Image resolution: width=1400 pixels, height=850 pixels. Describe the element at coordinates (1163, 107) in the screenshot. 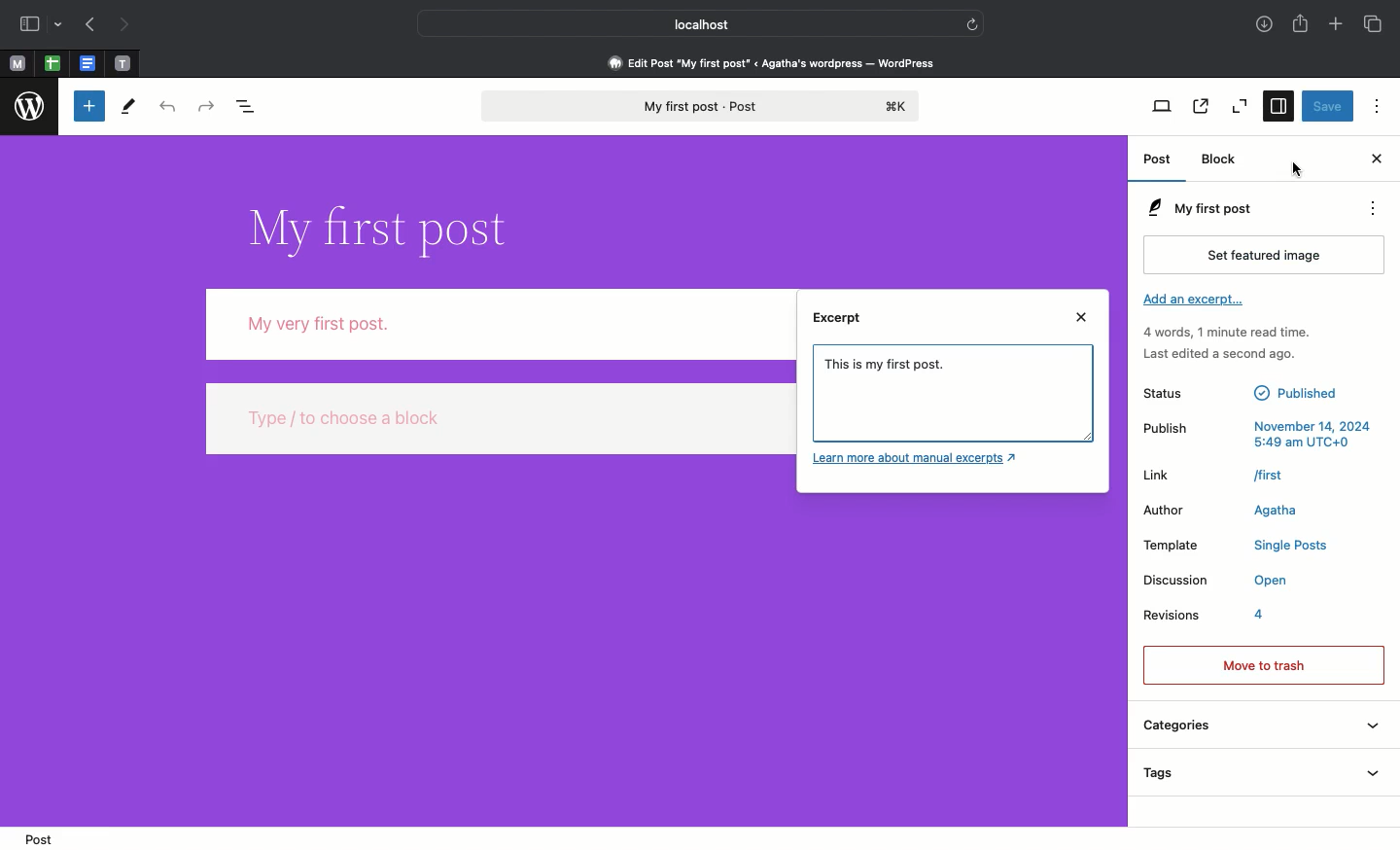

I see `View` at that location.